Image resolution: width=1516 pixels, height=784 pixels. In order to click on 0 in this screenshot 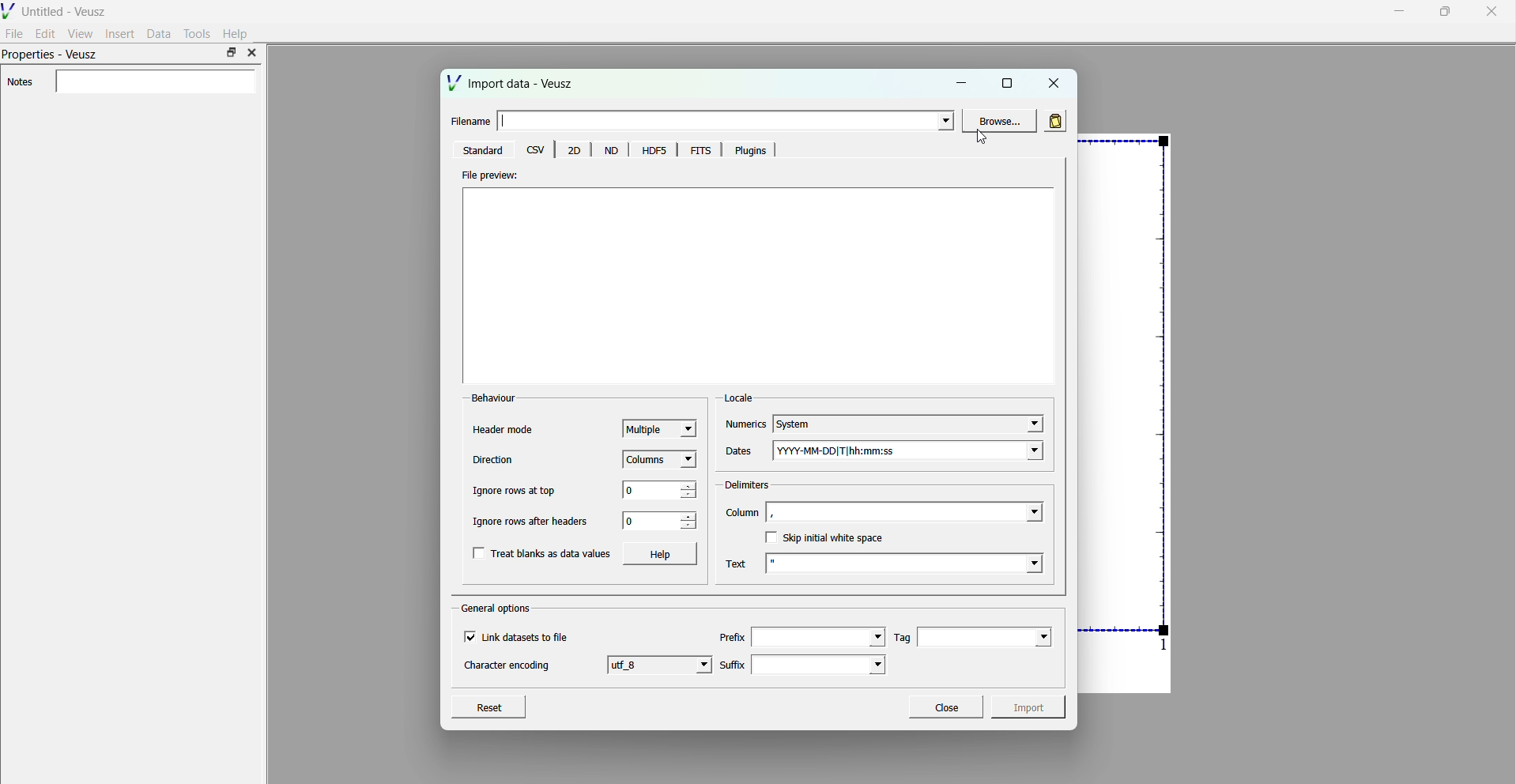, I will do `click(648, 522)`.